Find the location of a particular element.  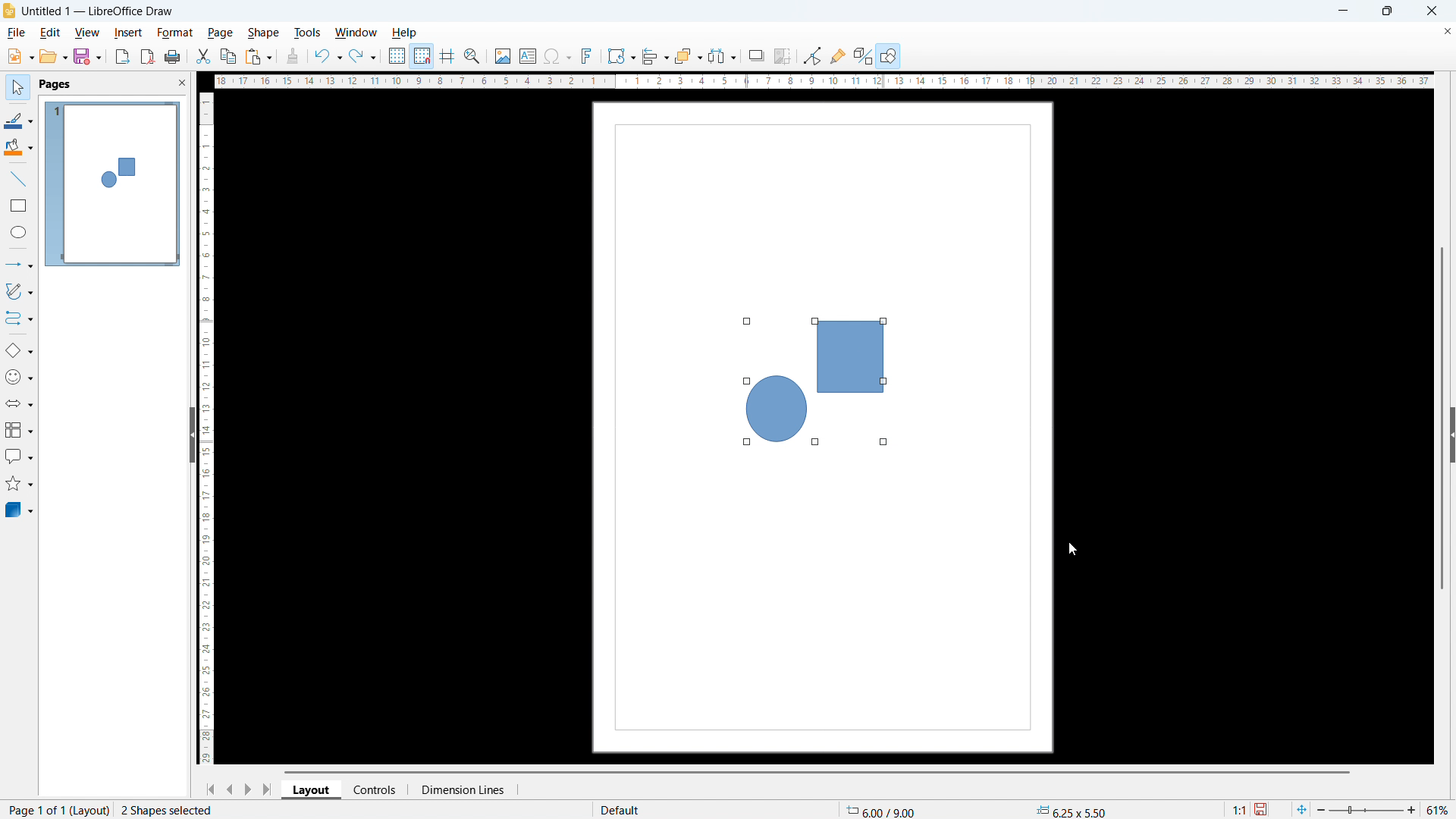

zoom is located at coordinates (473, 57).